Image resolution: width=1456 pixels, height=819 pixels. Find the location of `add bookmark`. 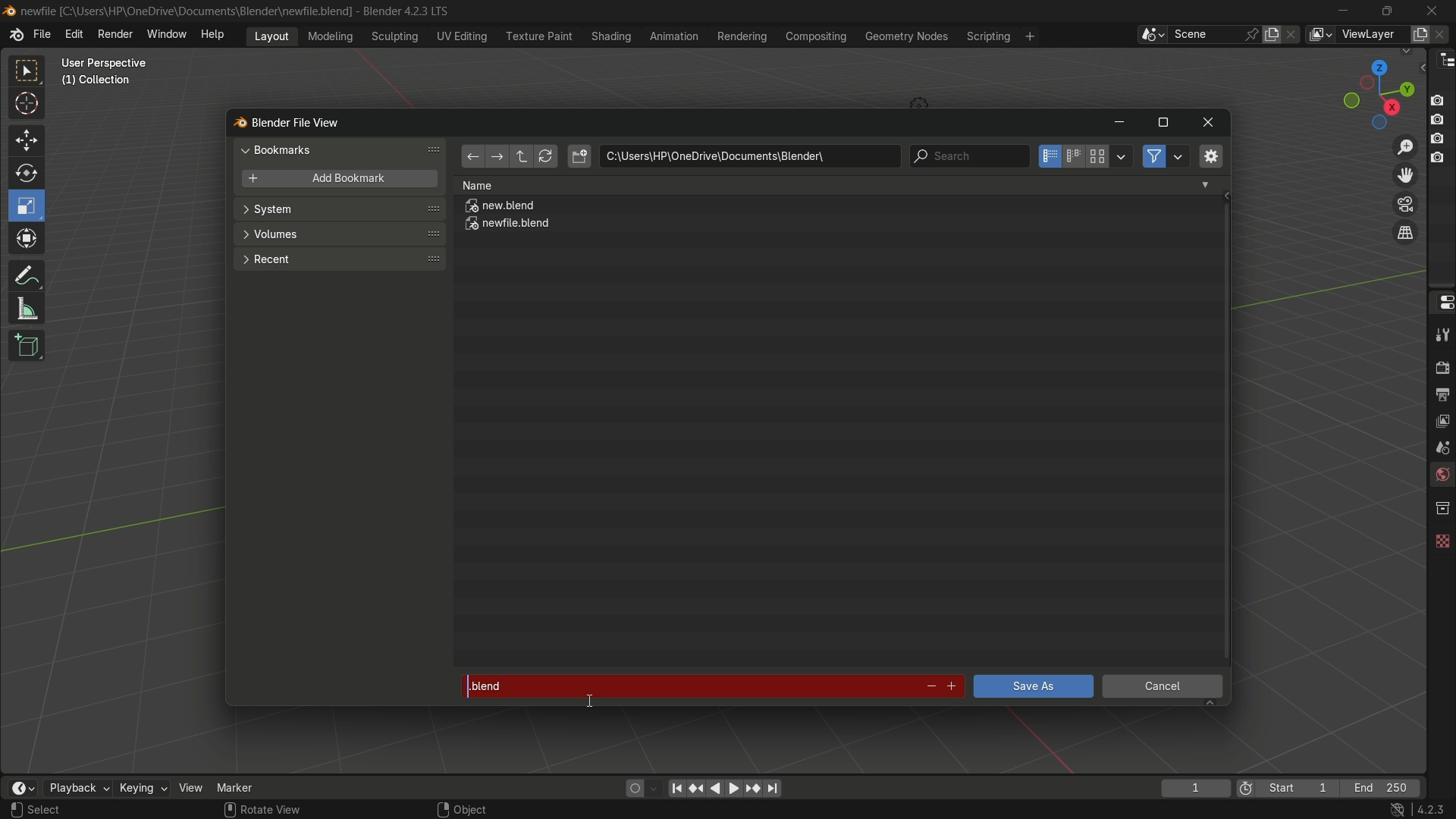

add bookmark is located at coordinates (335, 180).